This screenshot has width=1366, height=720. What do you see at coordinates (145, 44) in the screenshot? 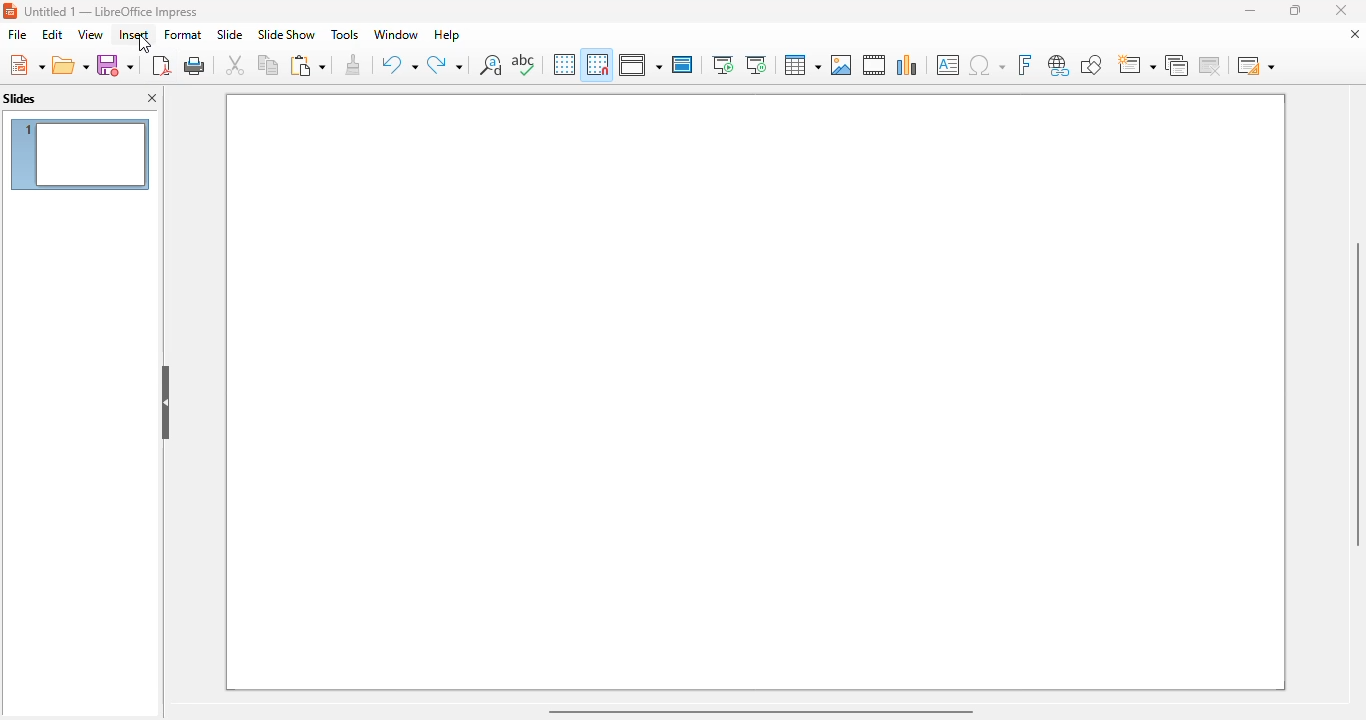
I see `cursor` at bounding box center [145, 44].